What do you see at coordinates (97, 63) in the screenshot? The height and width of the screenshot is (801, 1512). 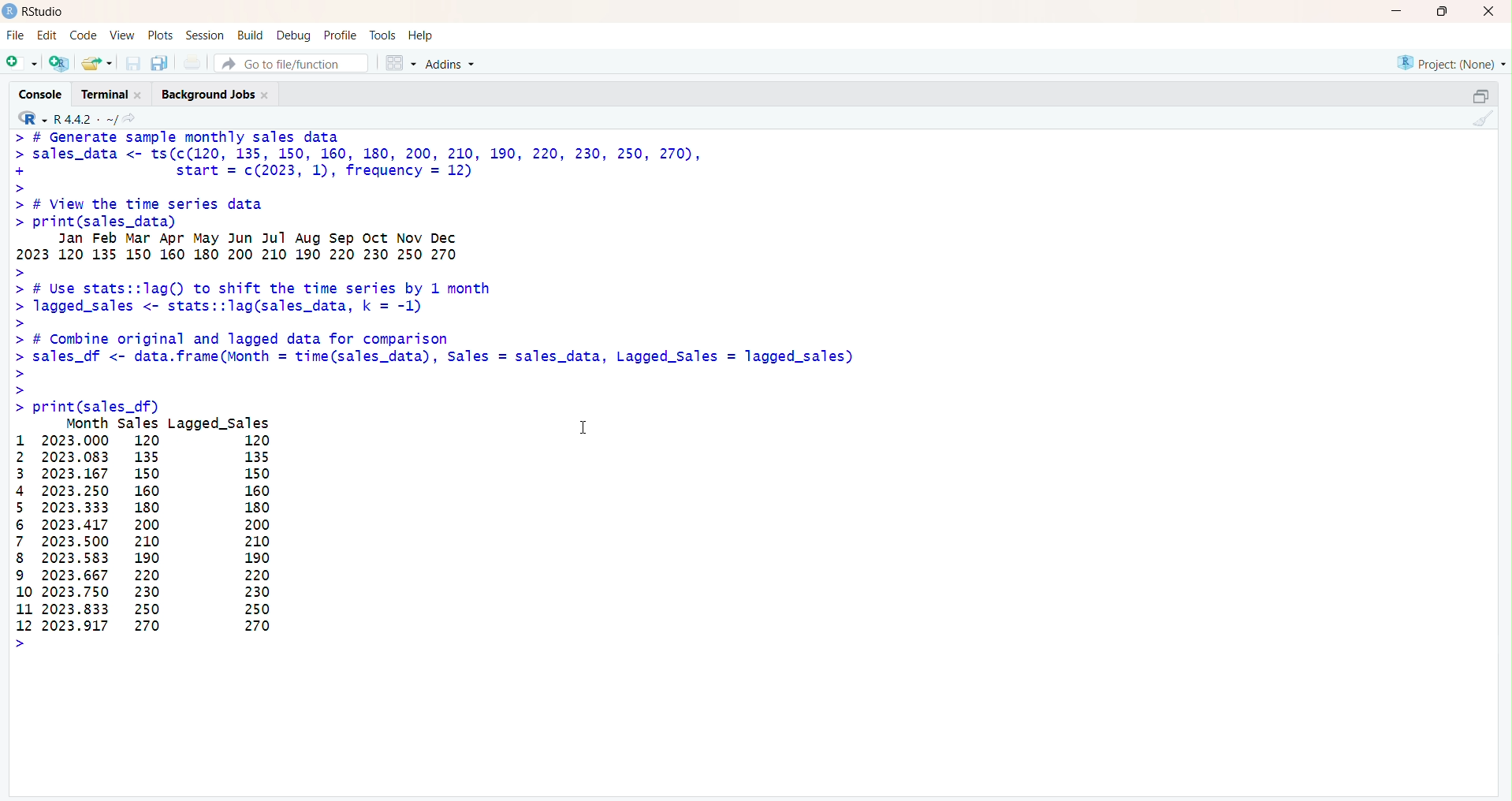 I see `open an existing file` at bounding box center [97, 63].